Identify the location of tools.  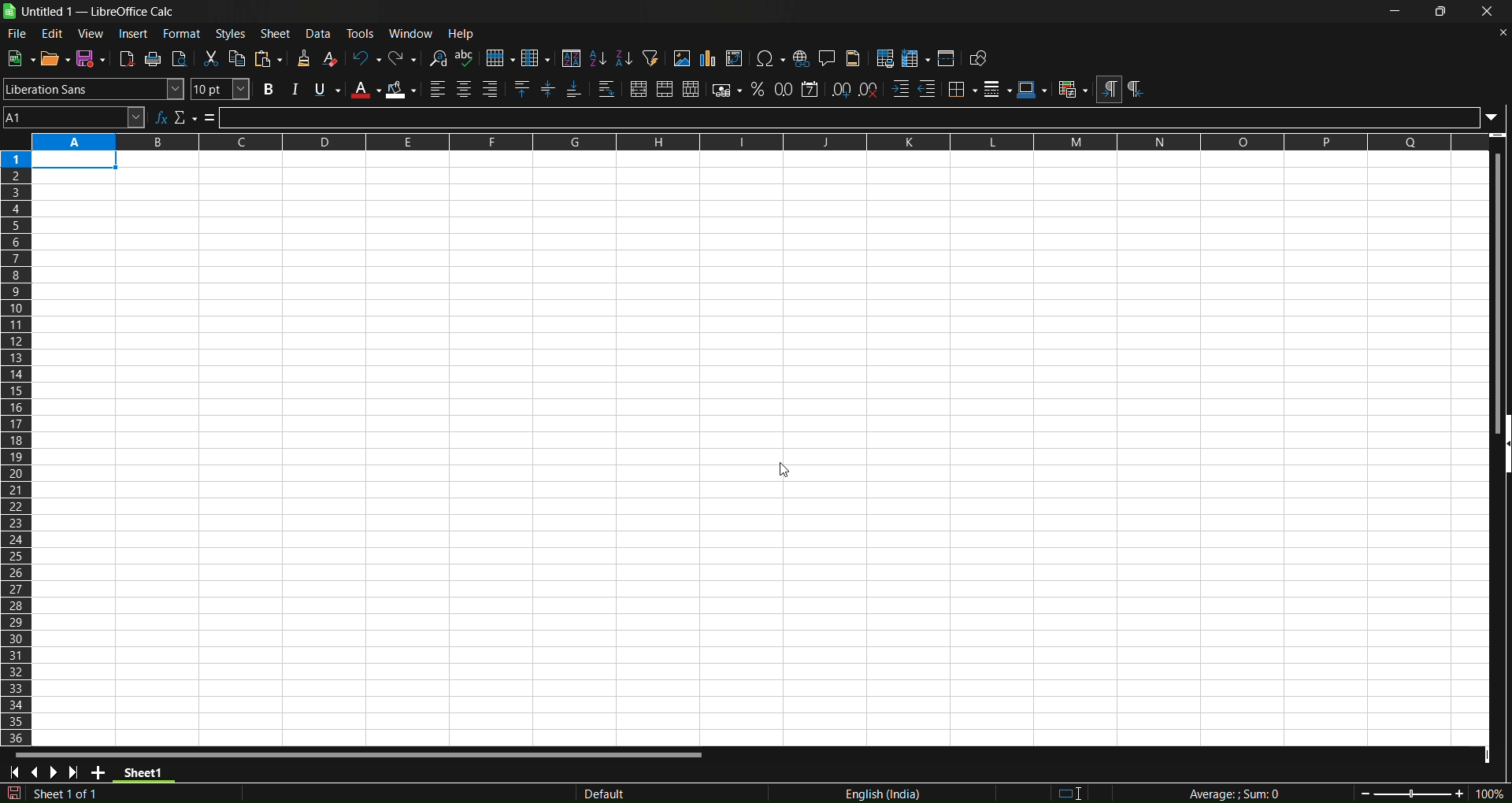
(364, 33).